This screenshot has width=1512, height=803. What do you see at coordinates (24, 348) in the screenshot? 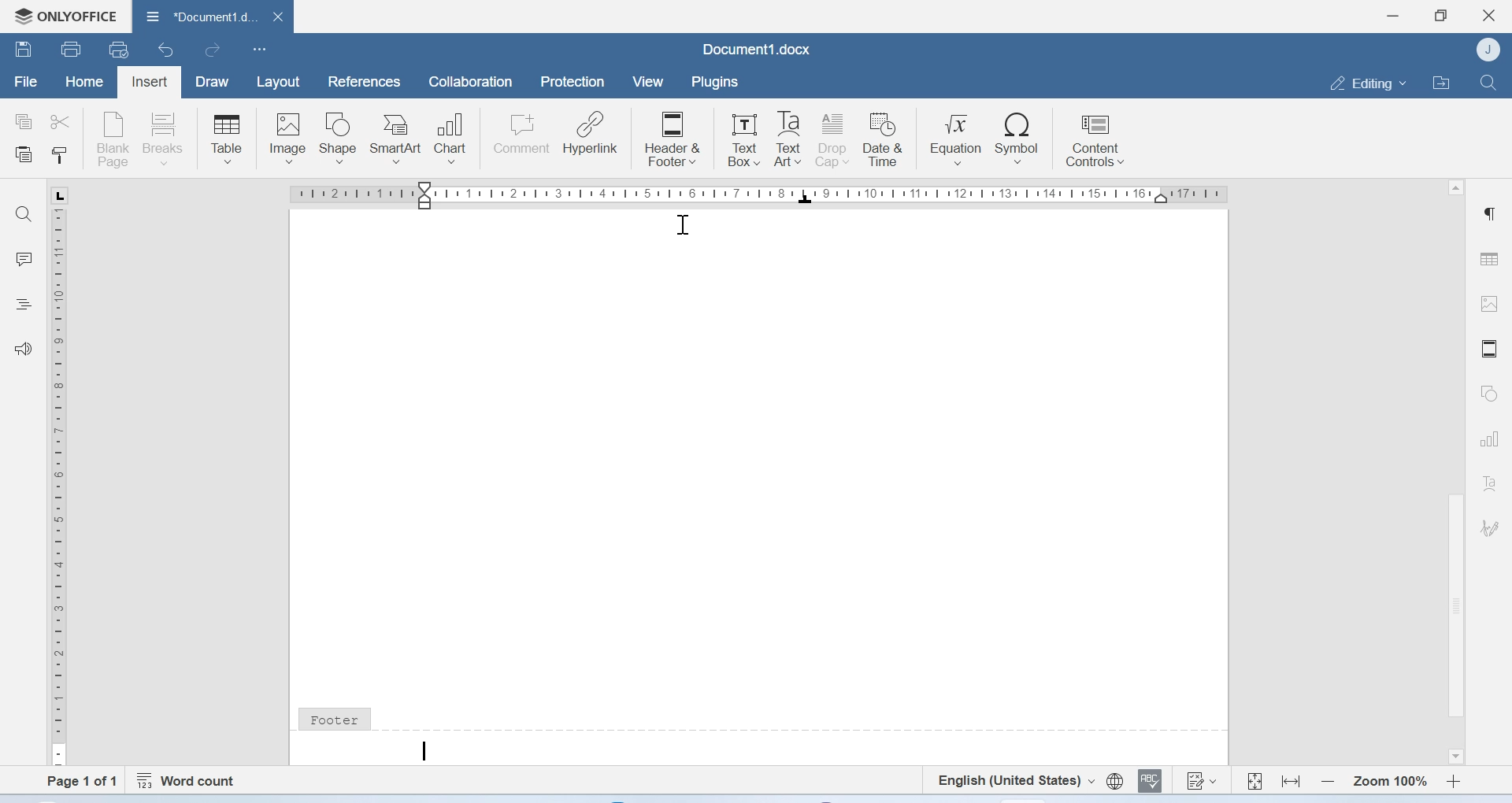
I see `Feedback and support` at bounding box center [24, 348].